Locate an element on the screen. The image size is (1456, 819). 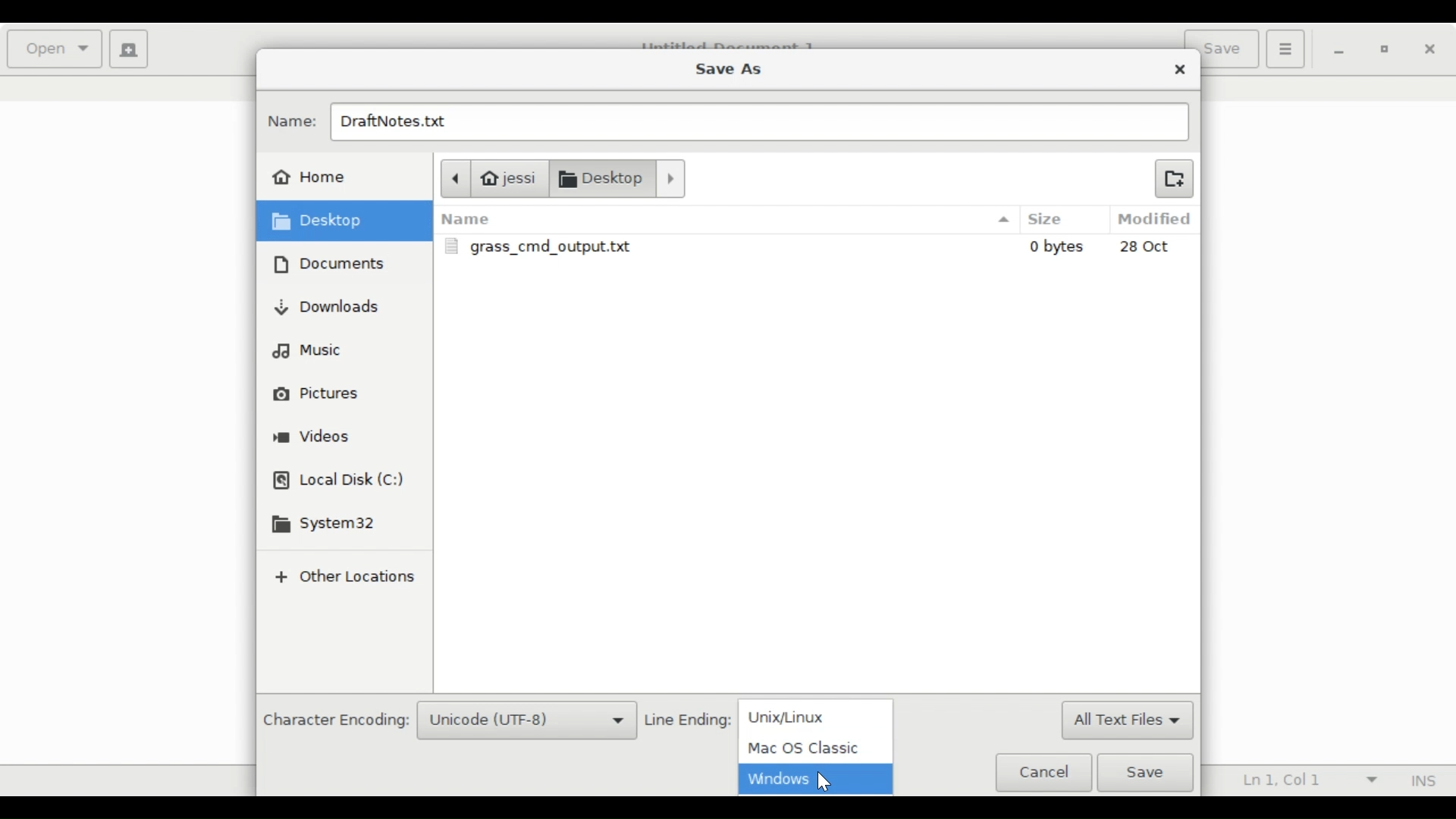
Ln 1, Col 1 is located at coordinates (1305, 781).